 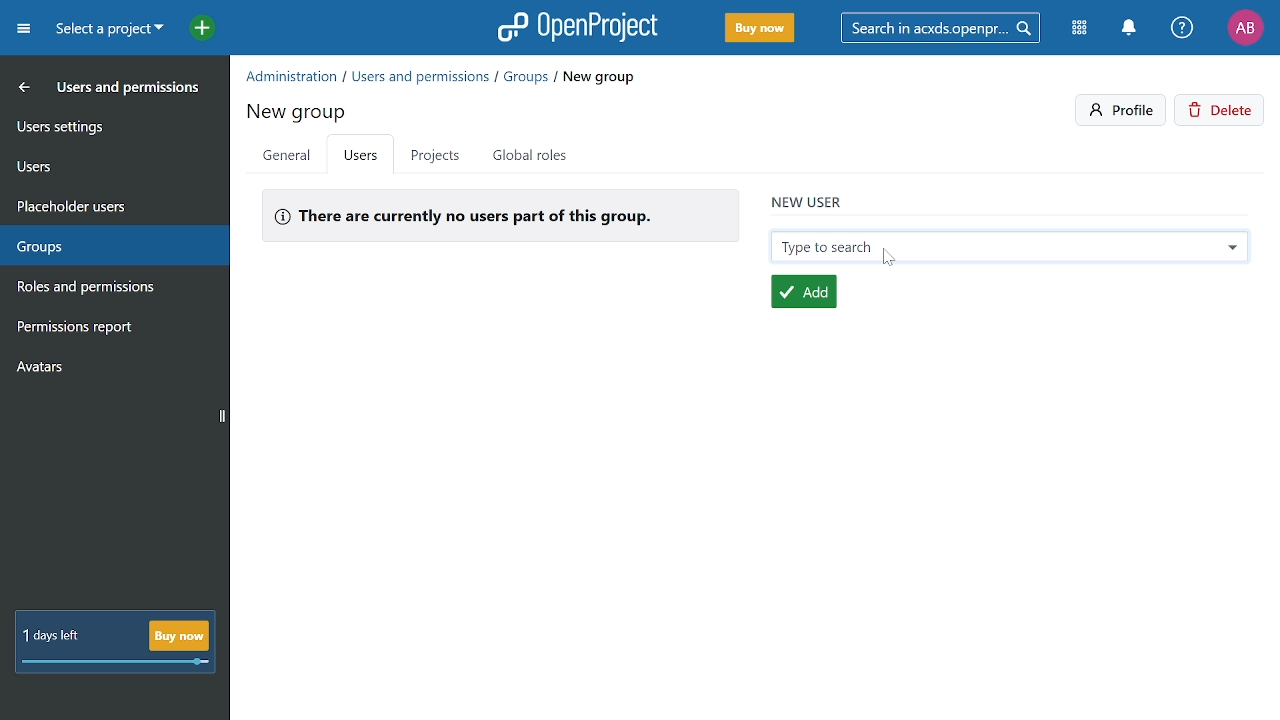 I want to click on Search new user, so click(x=1008, y=244).